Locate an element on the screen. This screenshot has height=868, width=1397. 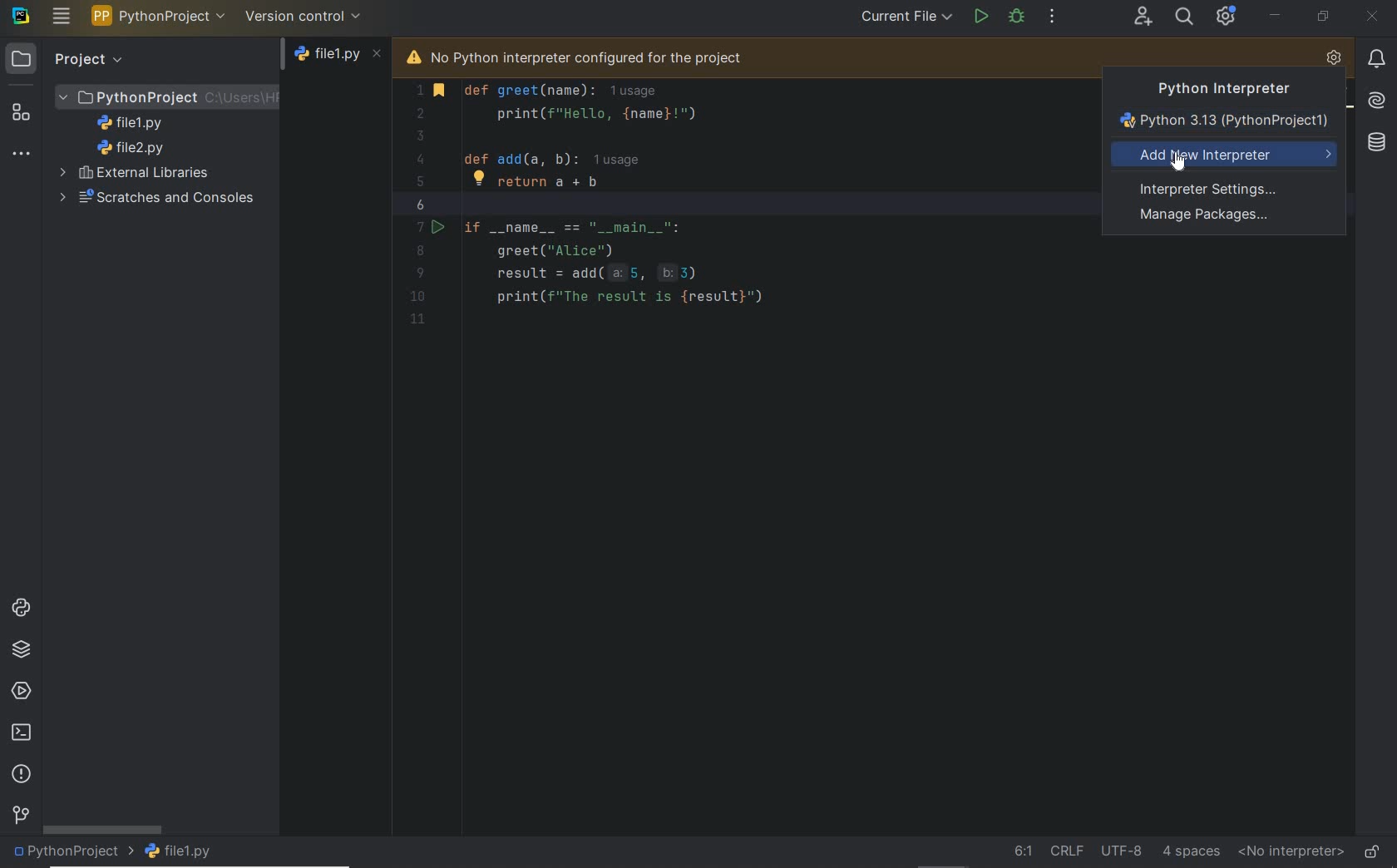
Manage packages is located at coordinates (1207, 217).